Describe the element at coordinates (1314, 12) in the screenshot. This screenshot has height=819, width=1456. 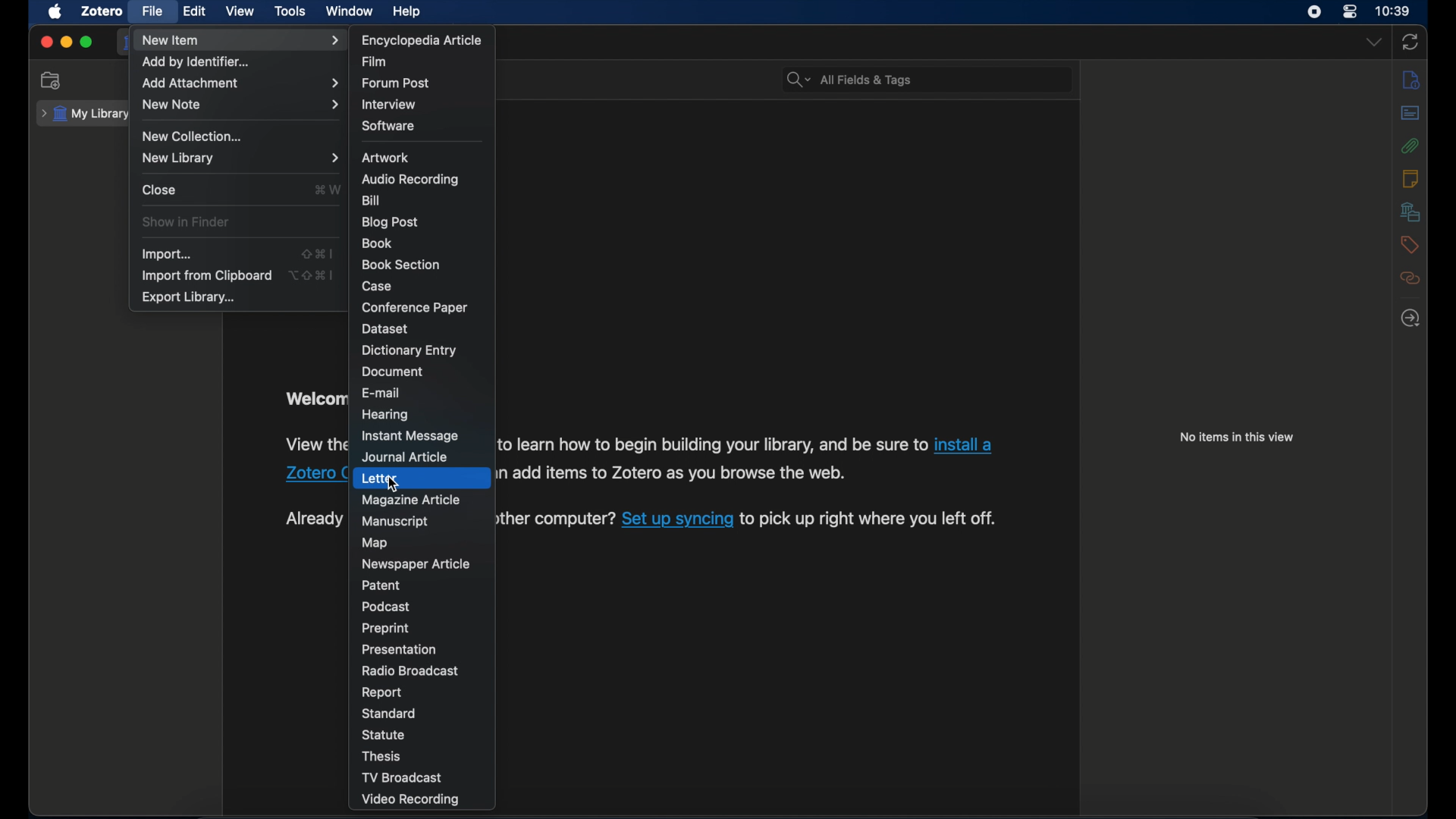
I see `screen recorder` at that location.